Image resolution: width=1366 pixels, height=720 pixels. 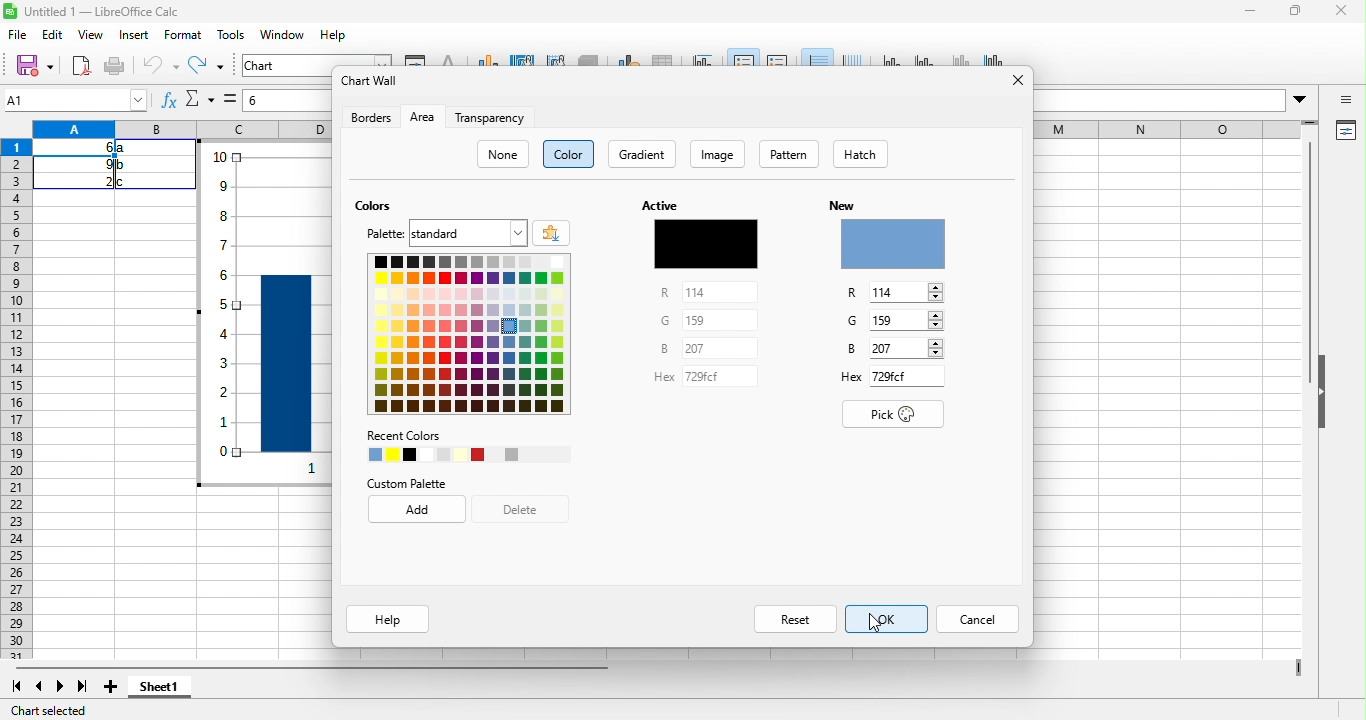 I want to click on print, so click(x=115, y=66).